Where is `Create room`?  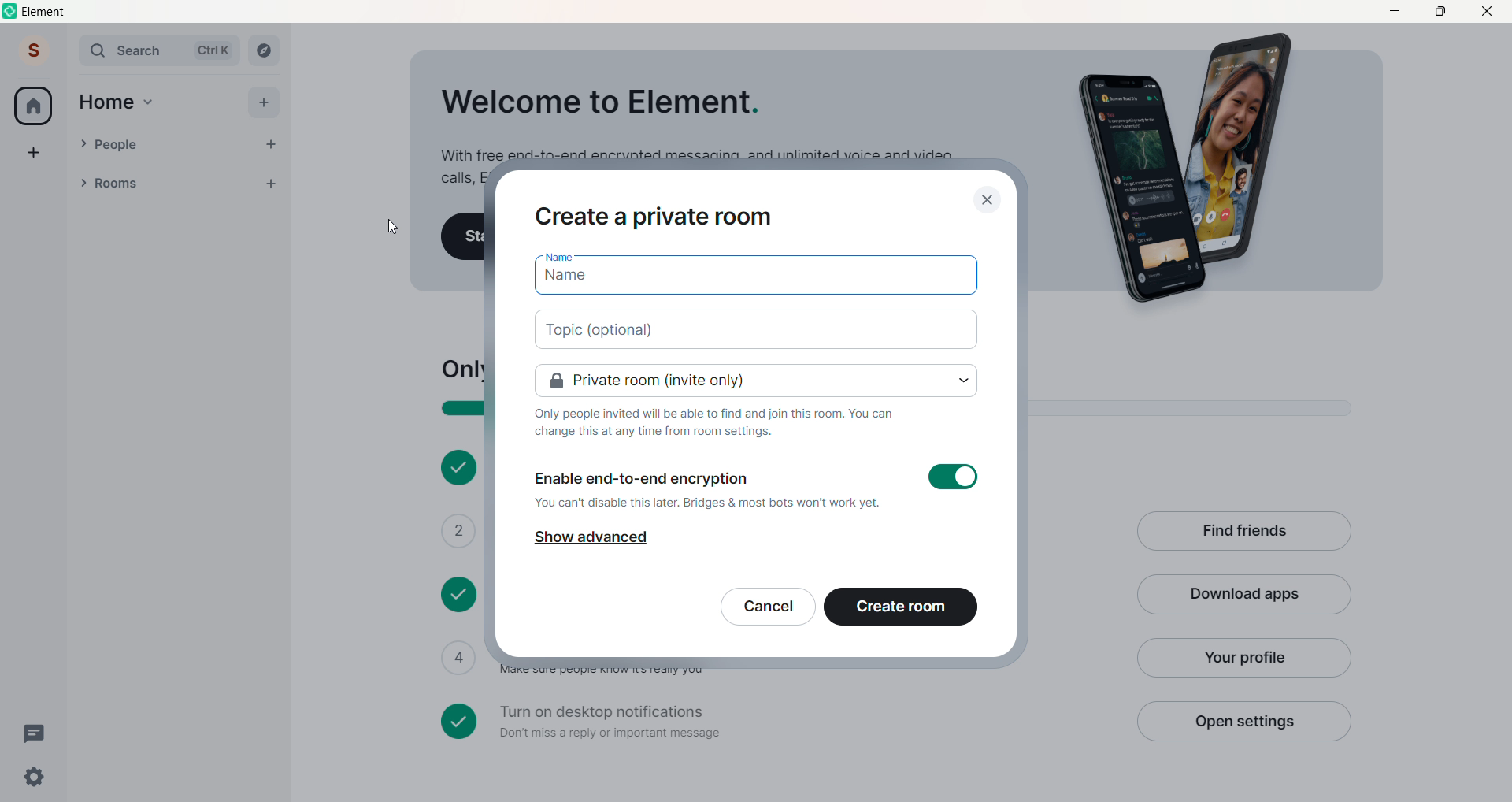 Create room is located at coordinates (901, 607).